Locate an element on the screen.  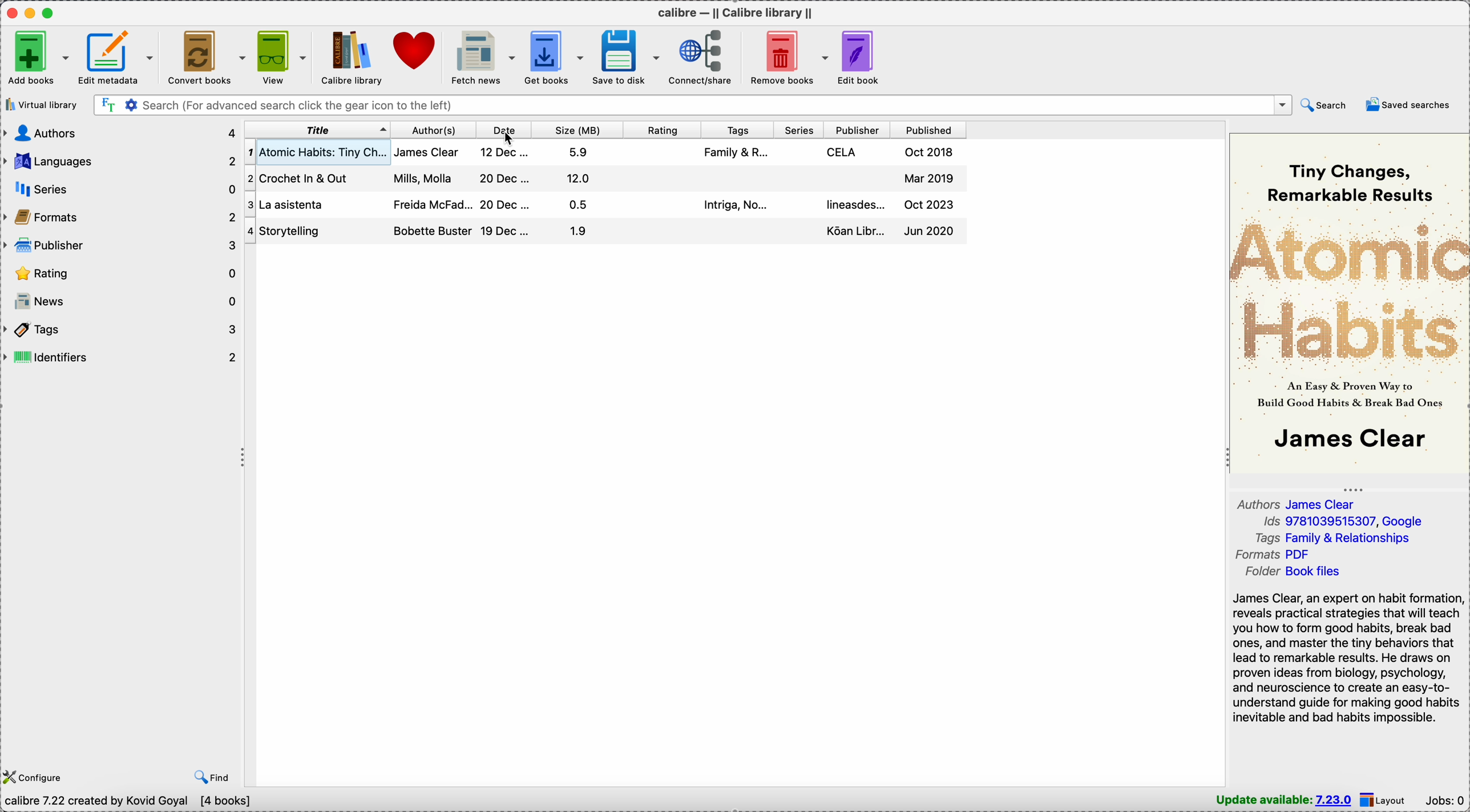
languages is located at coordinates (122, 159).